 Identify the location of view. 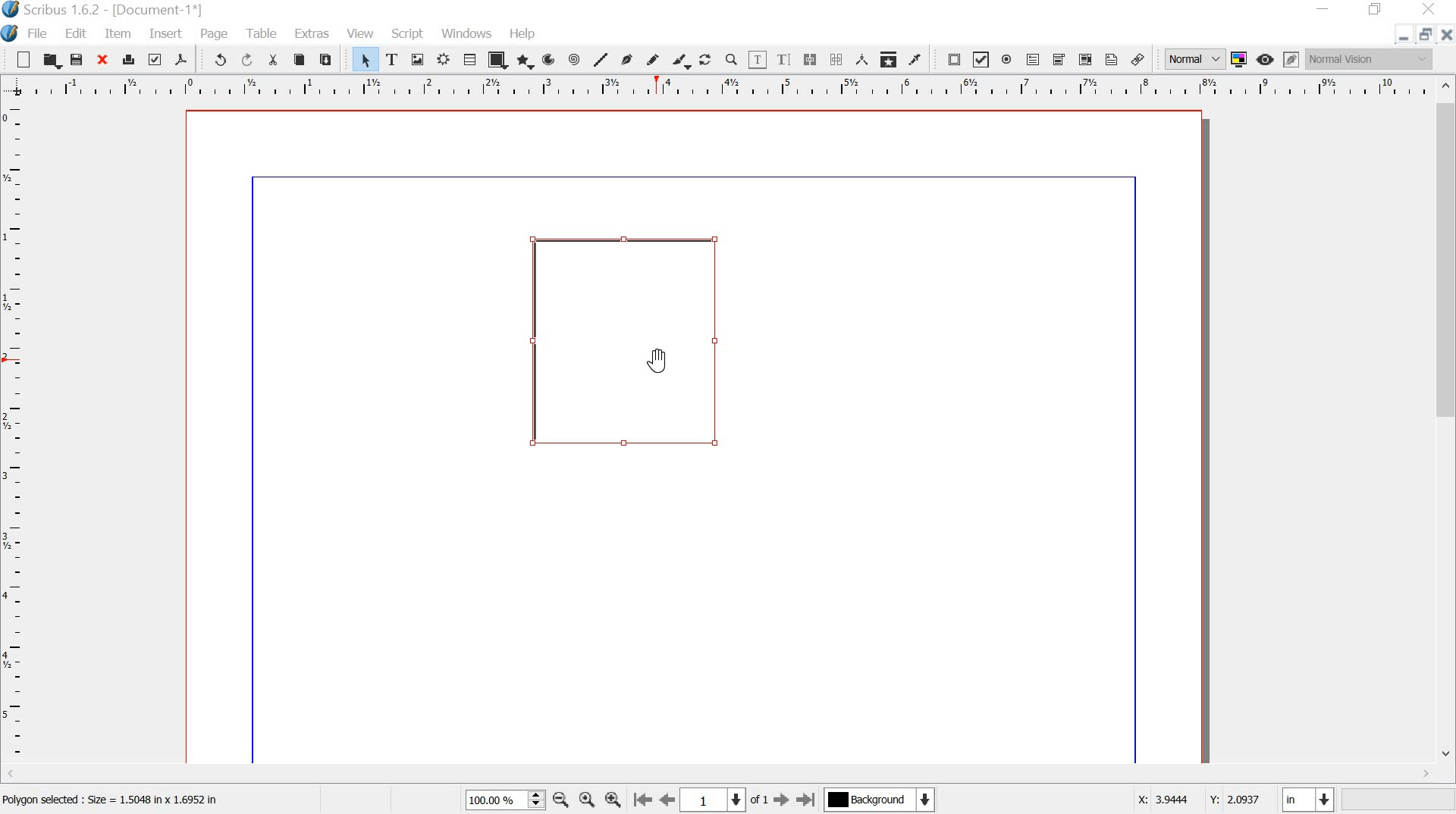
(362, 33).